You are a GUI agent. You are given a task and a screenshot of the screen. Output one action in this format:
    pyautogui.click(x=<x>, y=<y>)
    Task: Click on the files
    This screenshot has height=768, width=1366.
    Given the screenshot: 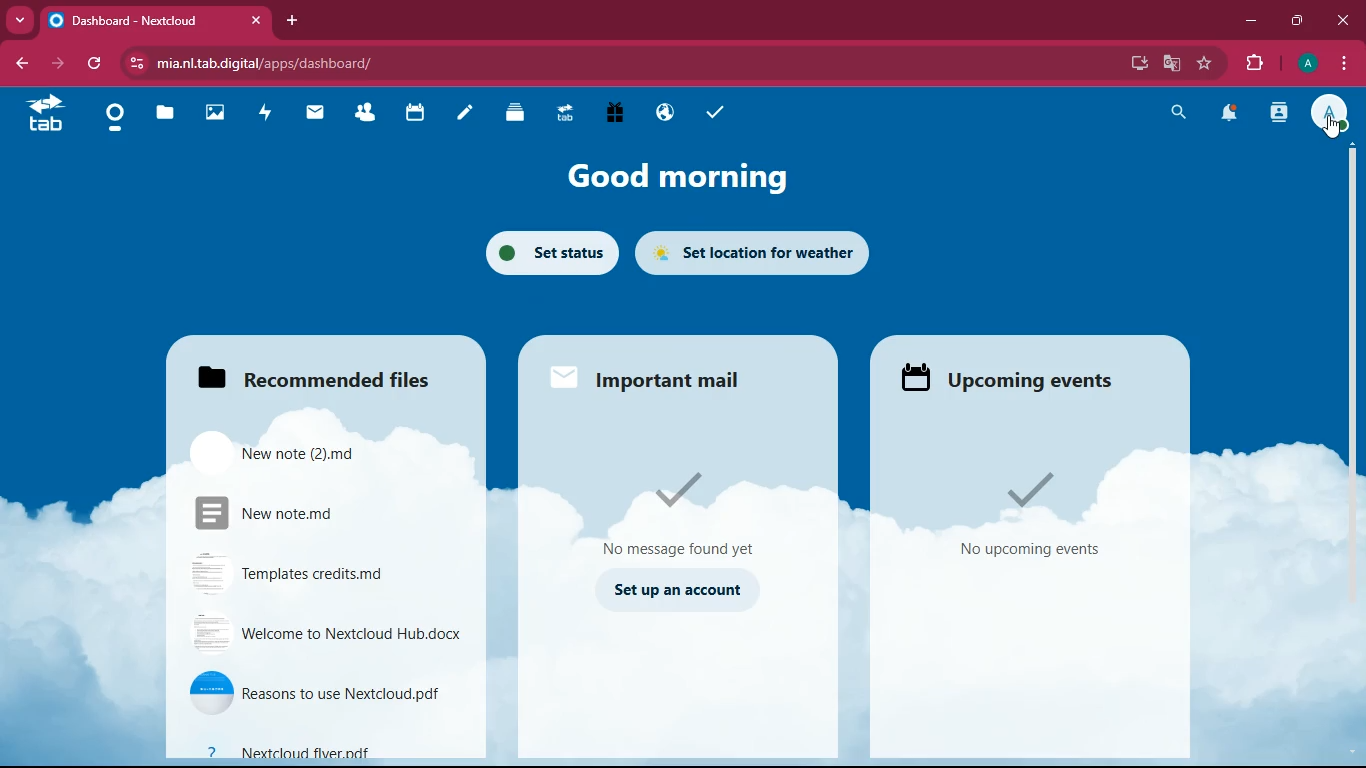 What is the action you would take?
    pyautogui.click(x=336, y=369)
    